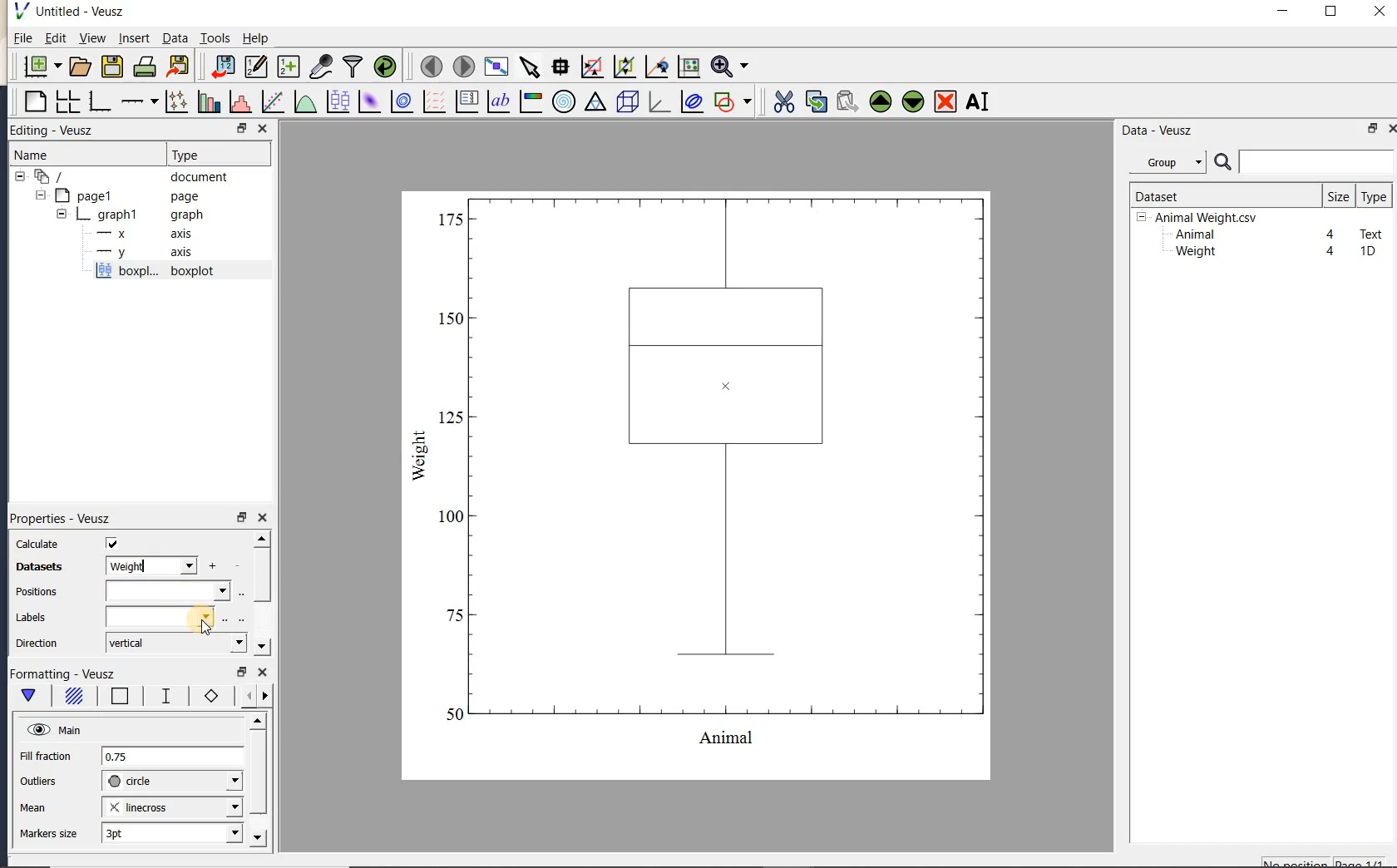 This screenshot has width=1397, height=868. I want to click on Editing - Veusz, so click(61, 131).